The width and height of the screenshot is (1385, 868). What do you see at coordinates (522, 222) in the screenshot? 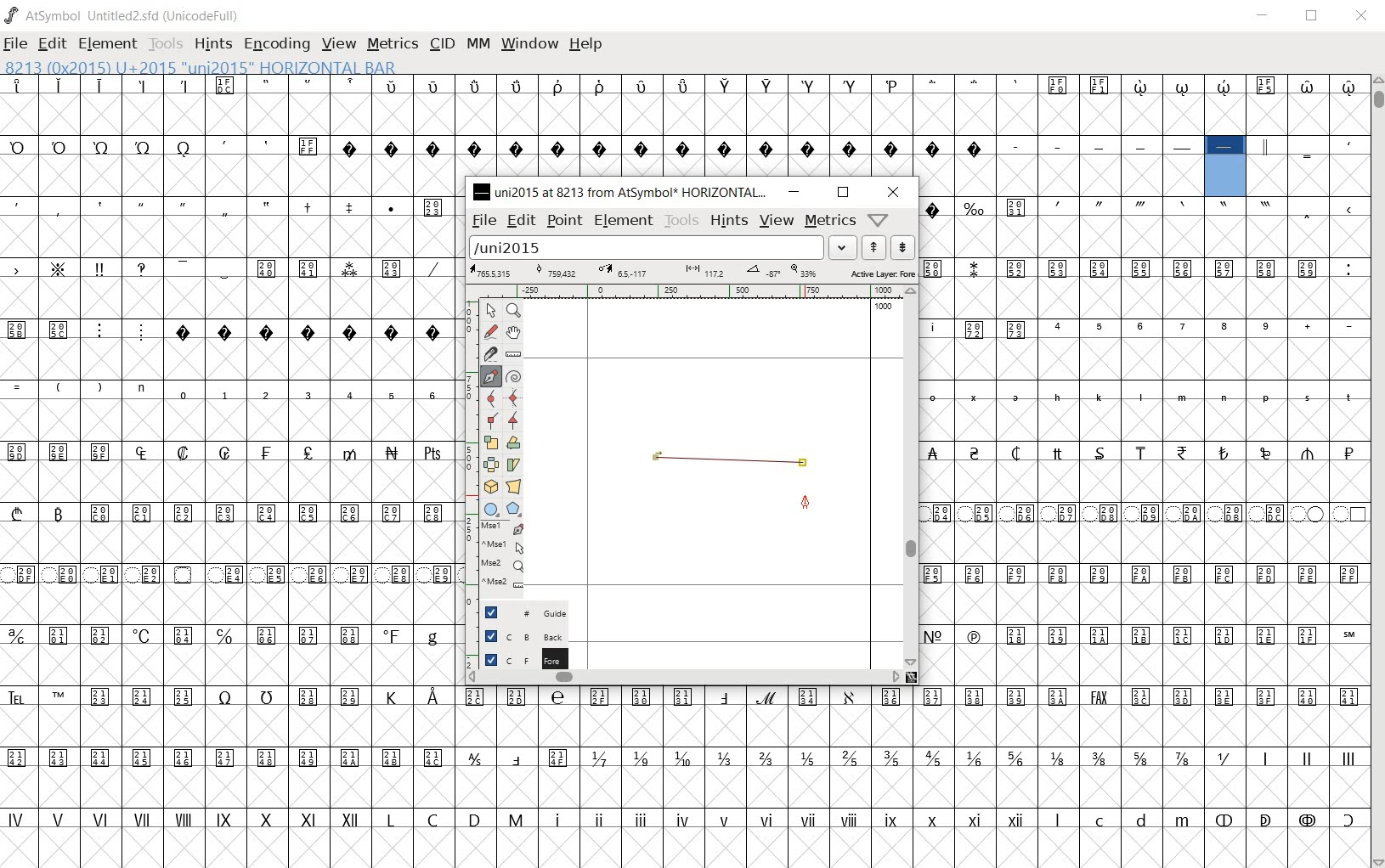
I see `edit` at bounding box center [522, 222].